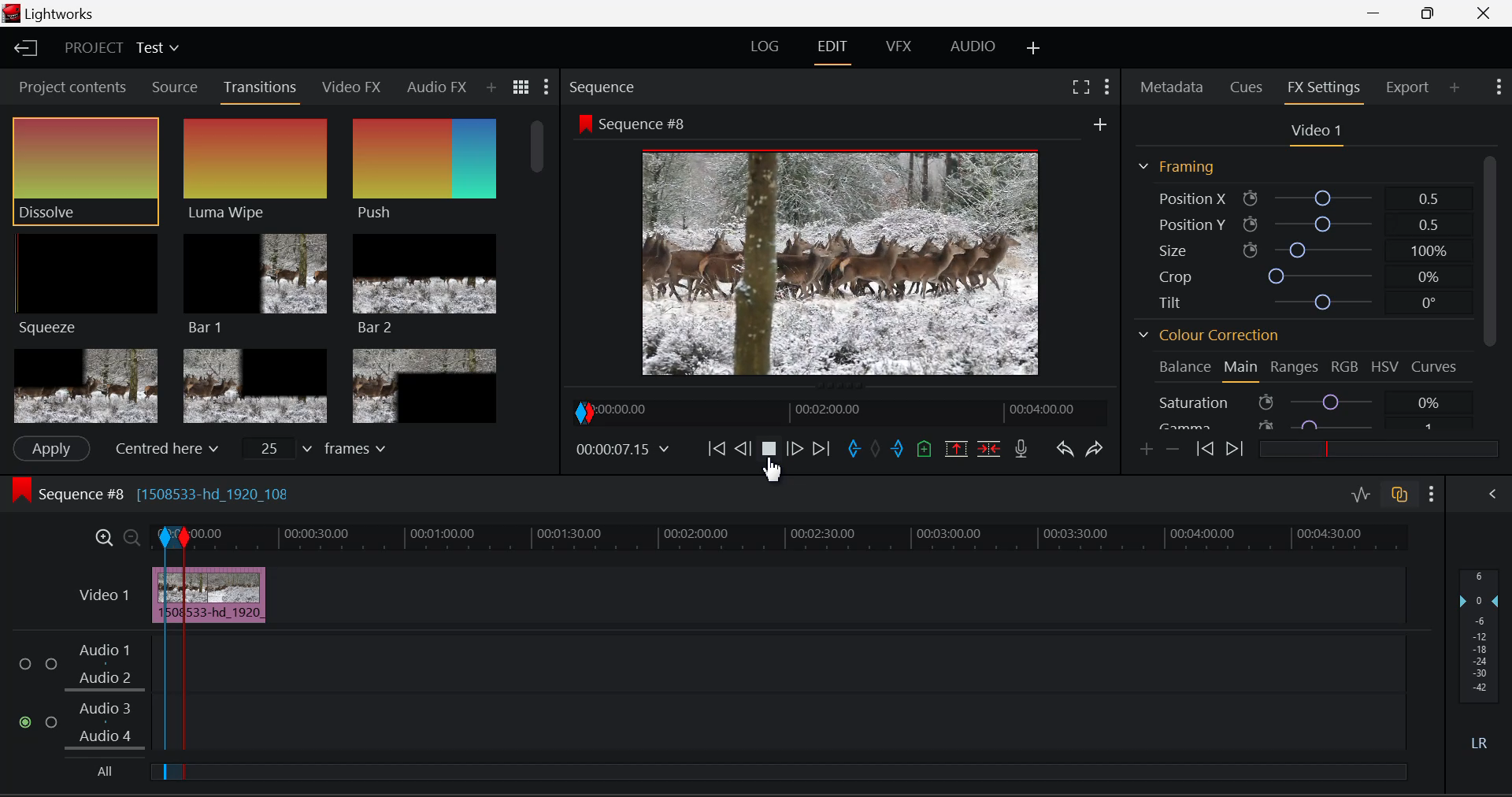 This screenshot has height=797, width=1512. What do you see at coordinates (1411, 87) in the screenshot?
I see `Export` at bounding box center [1411, 87].